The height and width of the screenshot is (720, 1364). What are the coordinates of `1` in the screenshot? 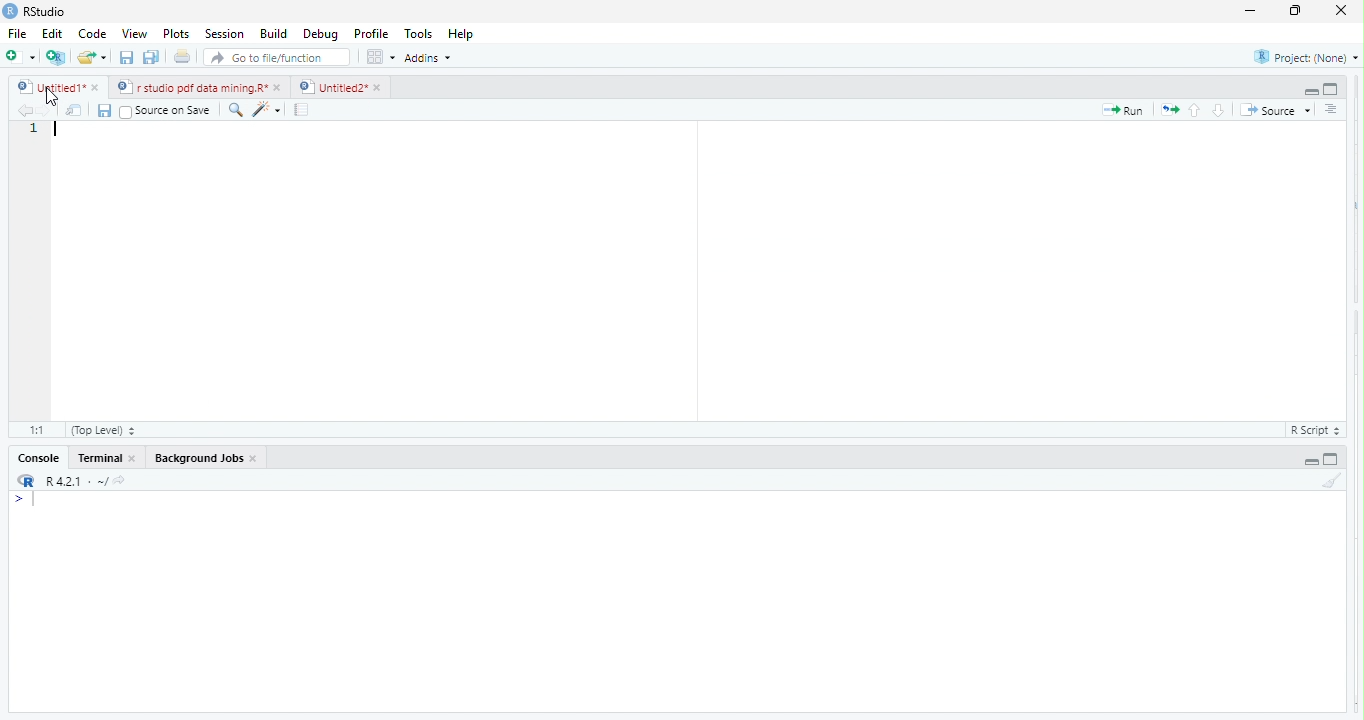 It's located at (34, 129).